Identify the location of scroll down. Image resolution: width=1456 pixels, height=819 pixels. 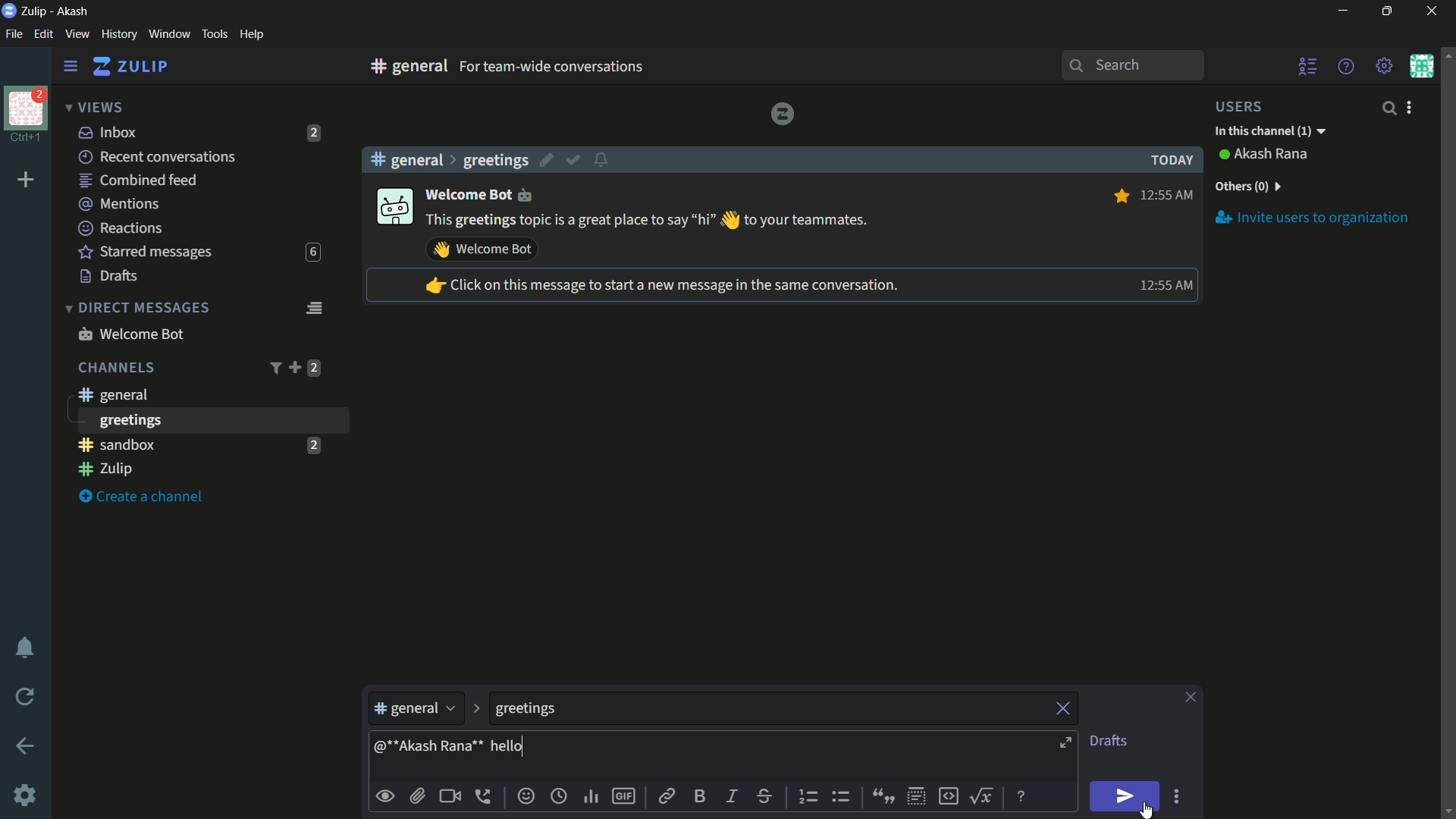
(1447, 811).